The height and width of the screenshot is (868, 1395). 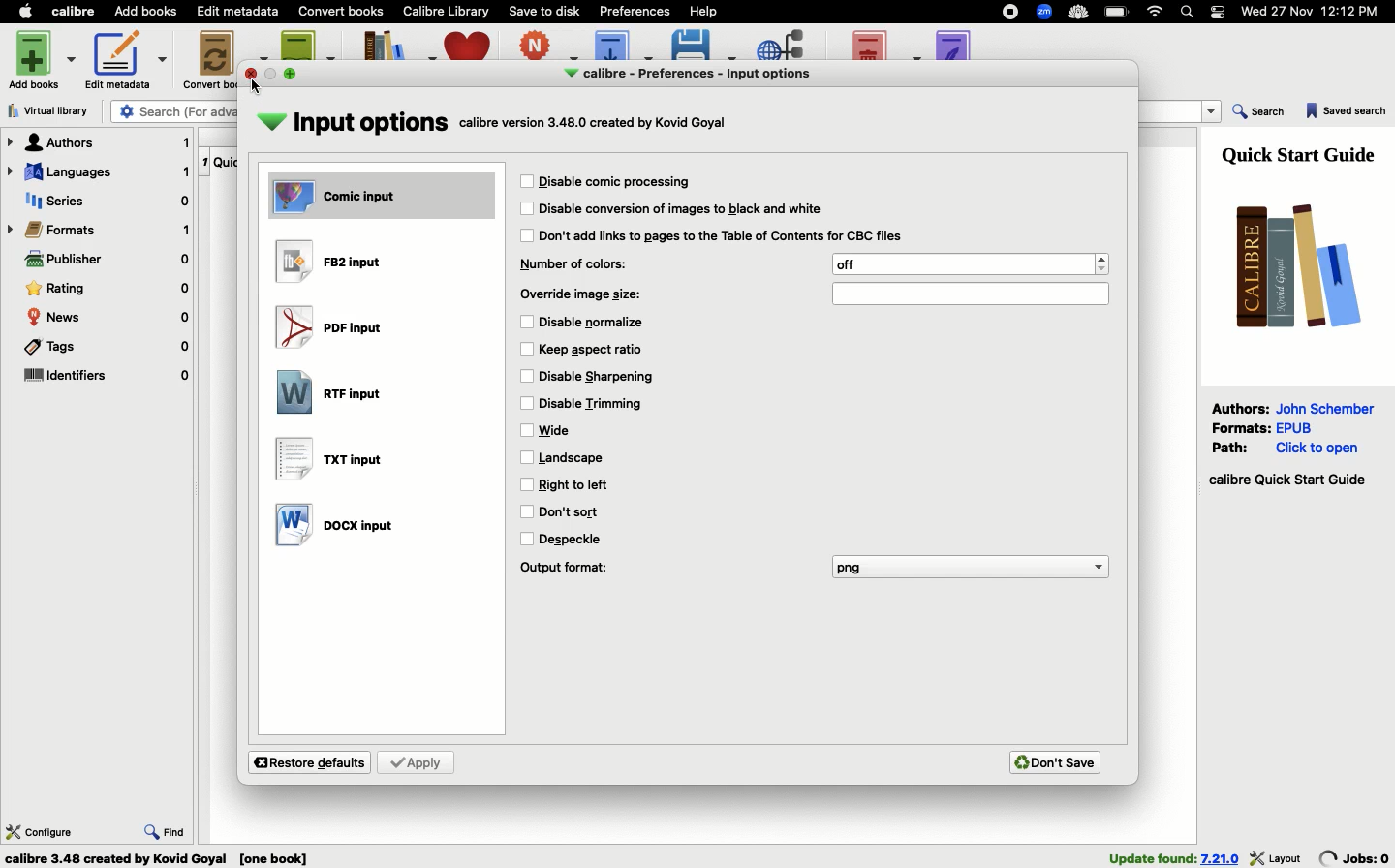 What do you see at coordinates (526, 540) in the screenshot?
I see `Checkbox` at bounding box center [526, 540].